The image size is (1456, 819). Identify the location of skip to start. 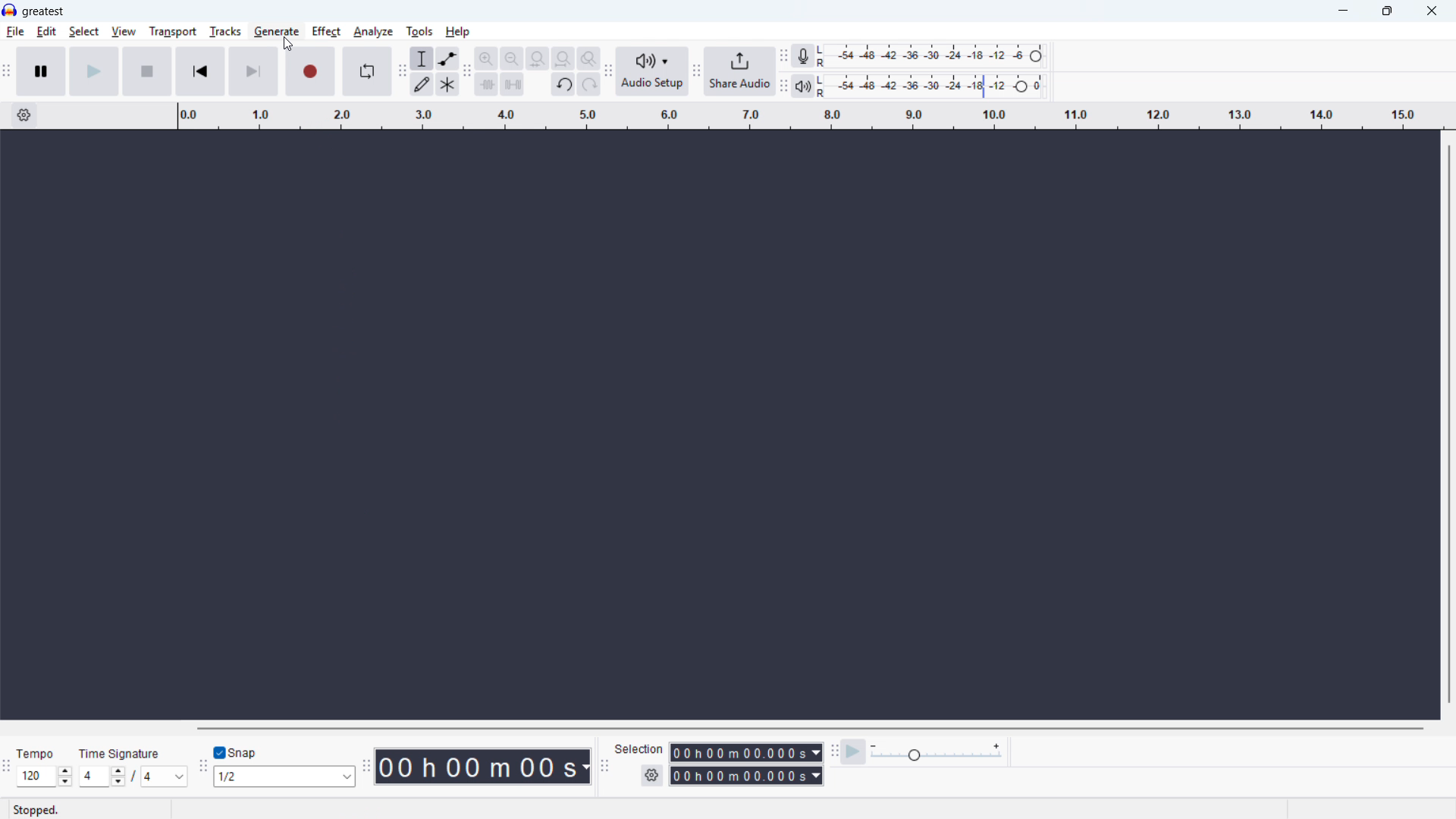
(201, 71).